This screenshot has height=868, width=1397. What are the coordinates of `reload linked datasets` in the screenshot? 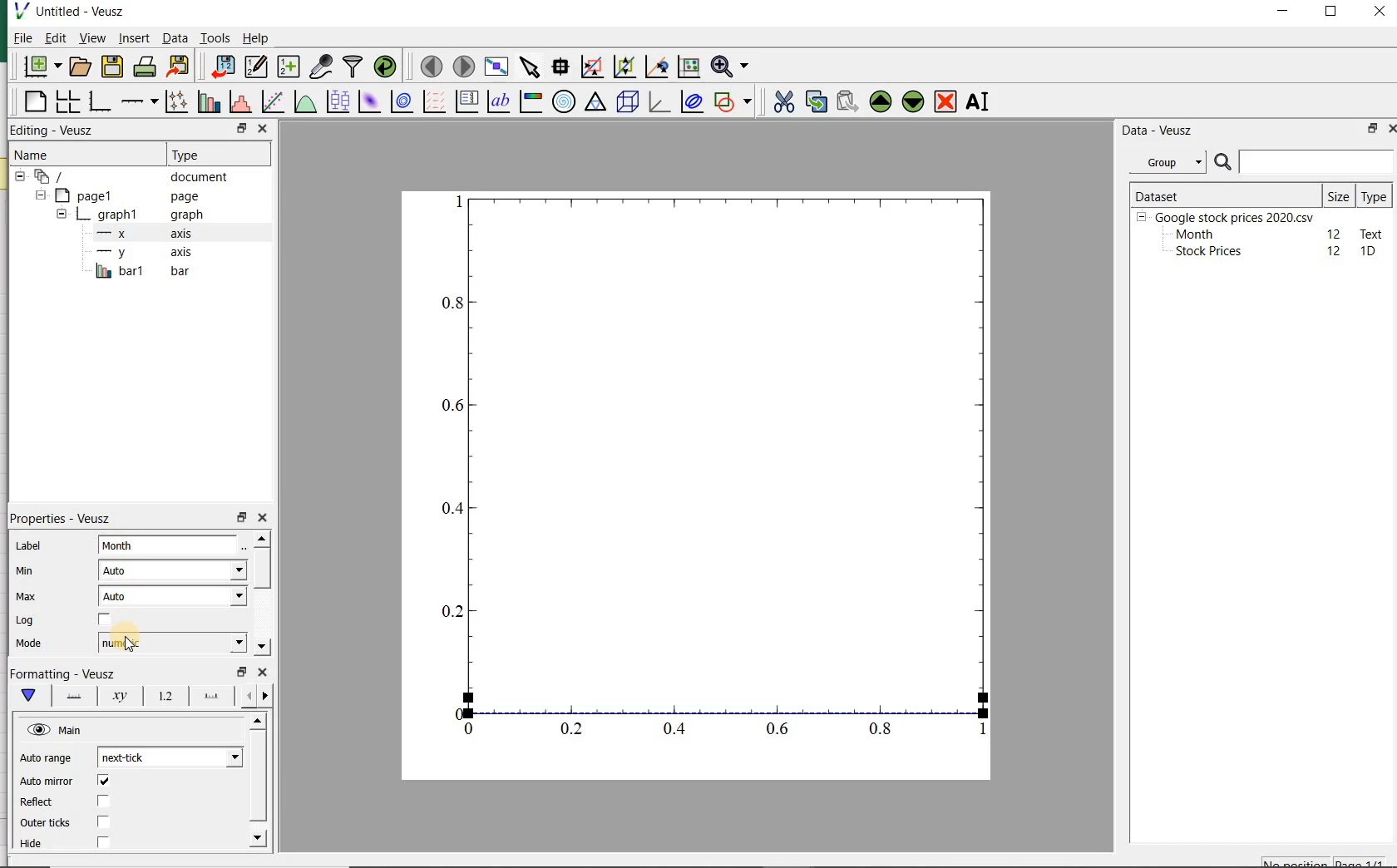 It's located at (388, 67).